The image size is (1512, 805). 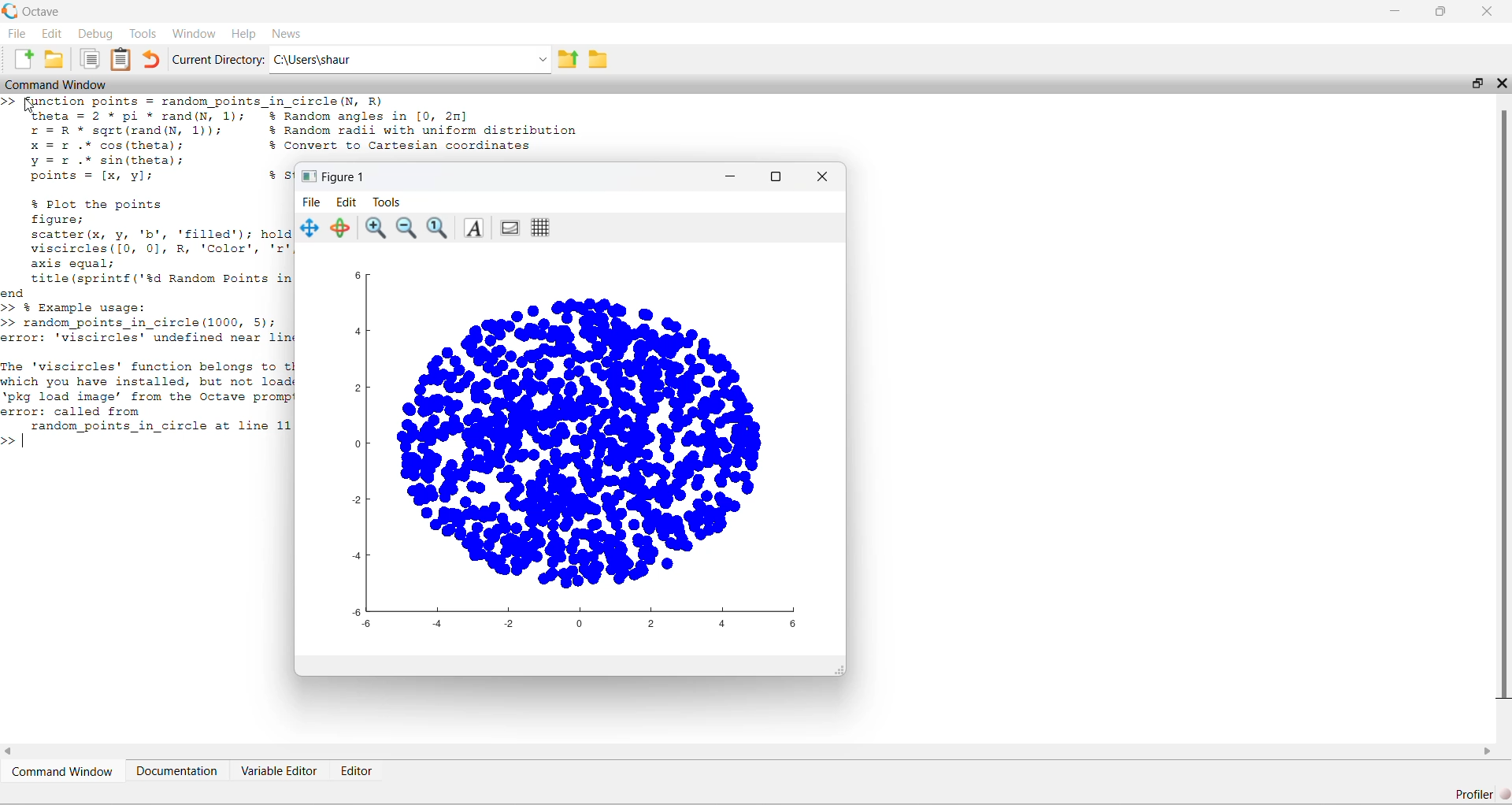 I want to click on cursor, so click(x=30, y=106).